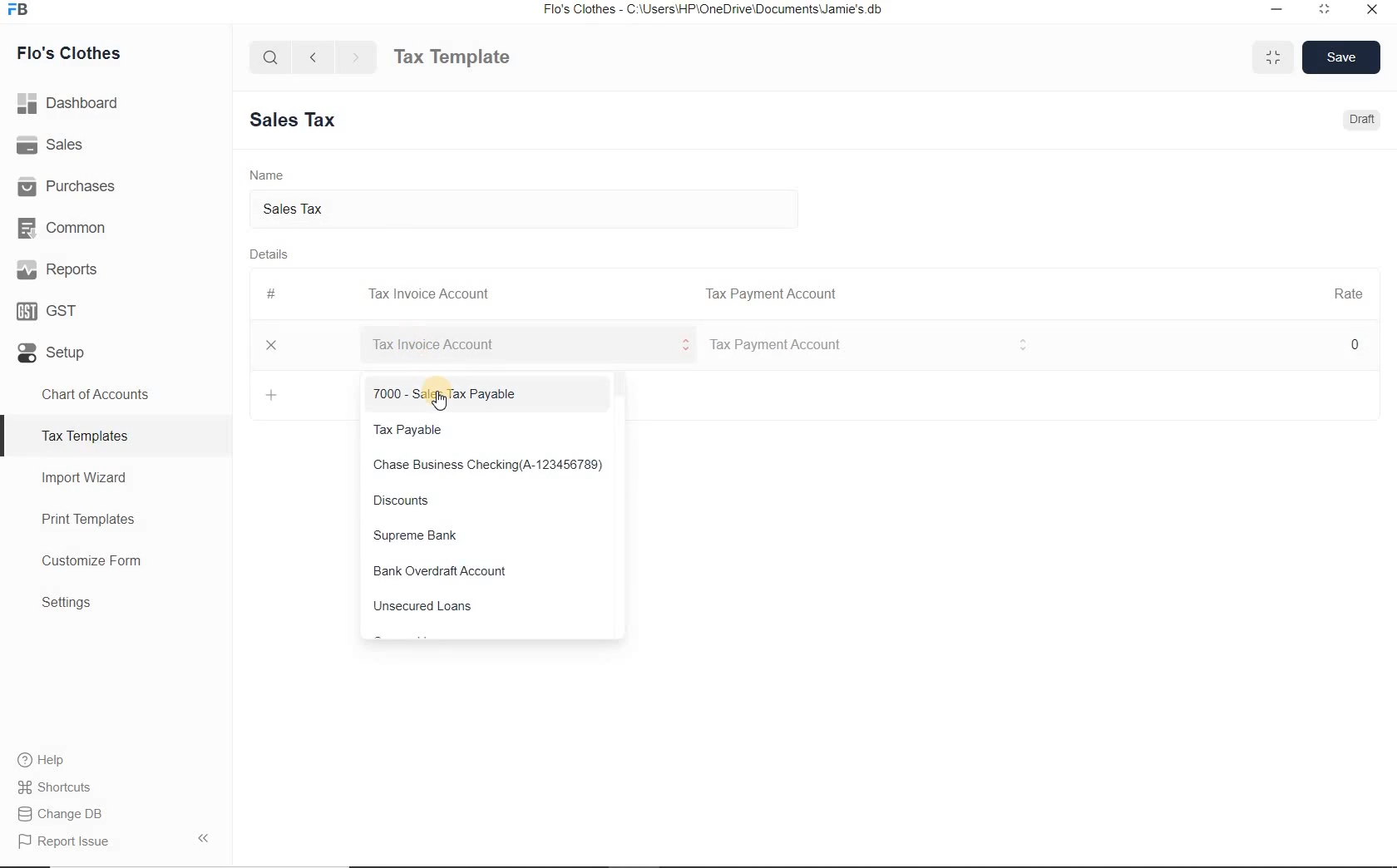  I want to click on Tax Template, so click(452, 57).